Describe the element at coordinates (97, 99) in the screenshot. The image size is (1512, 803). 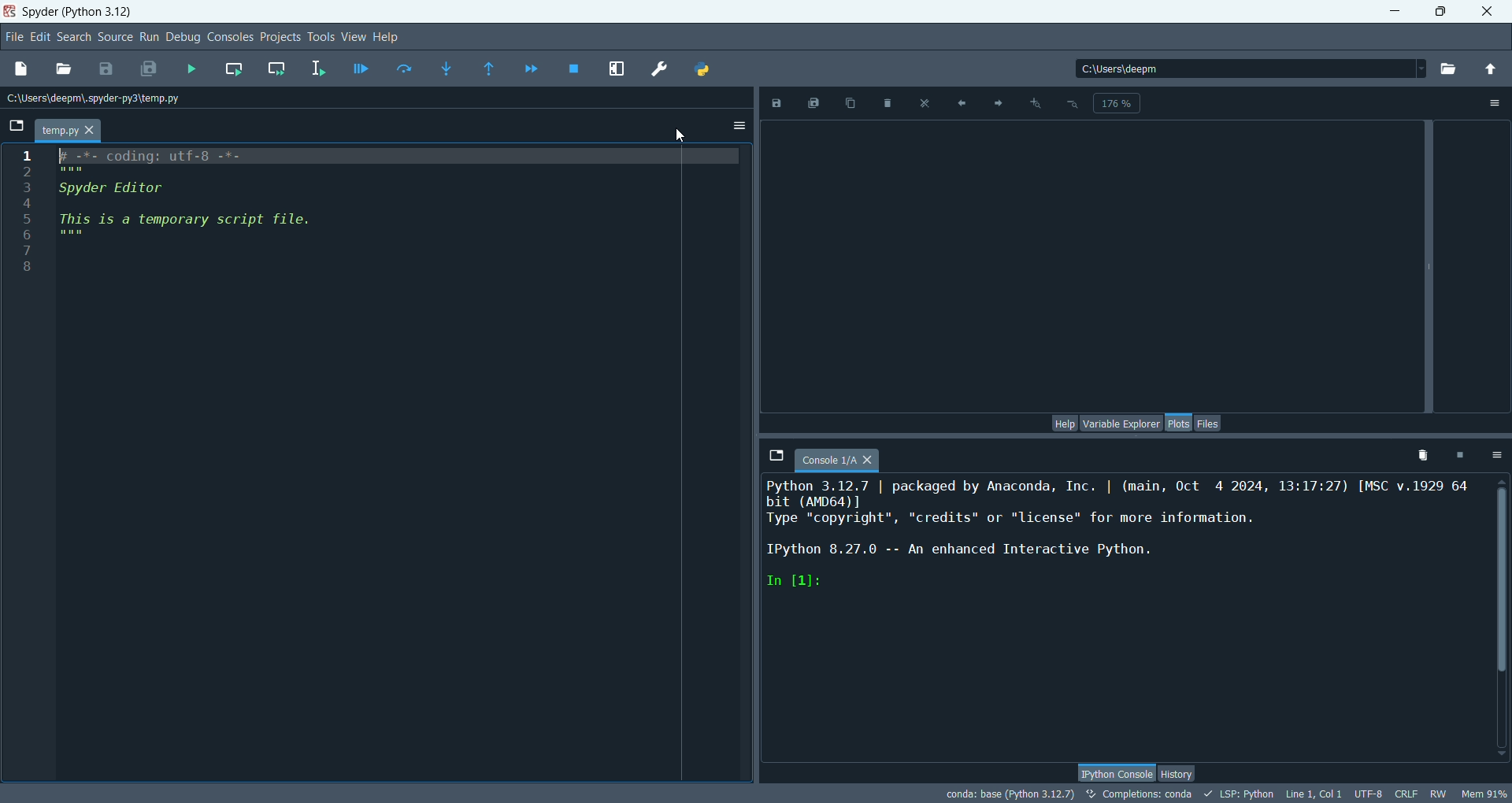
I see `location` at that location.